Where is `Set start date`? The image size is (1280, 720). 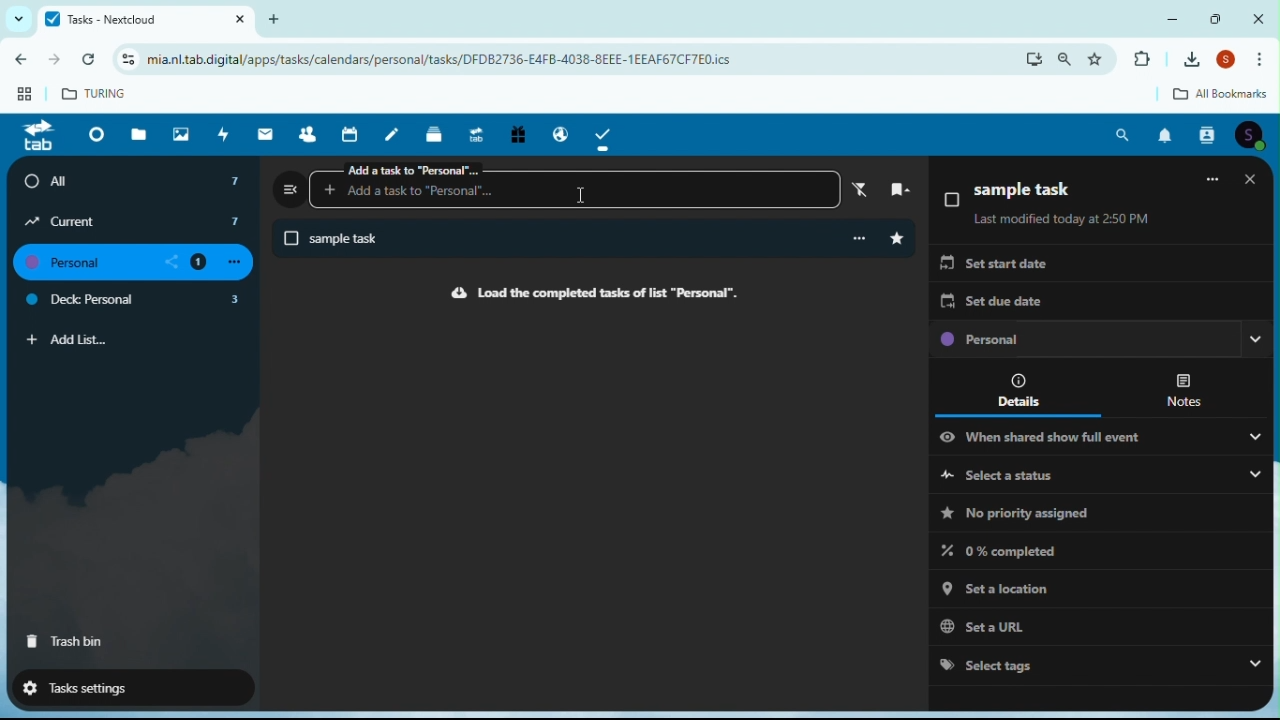
Set start date is located at coordinates (995, 266).